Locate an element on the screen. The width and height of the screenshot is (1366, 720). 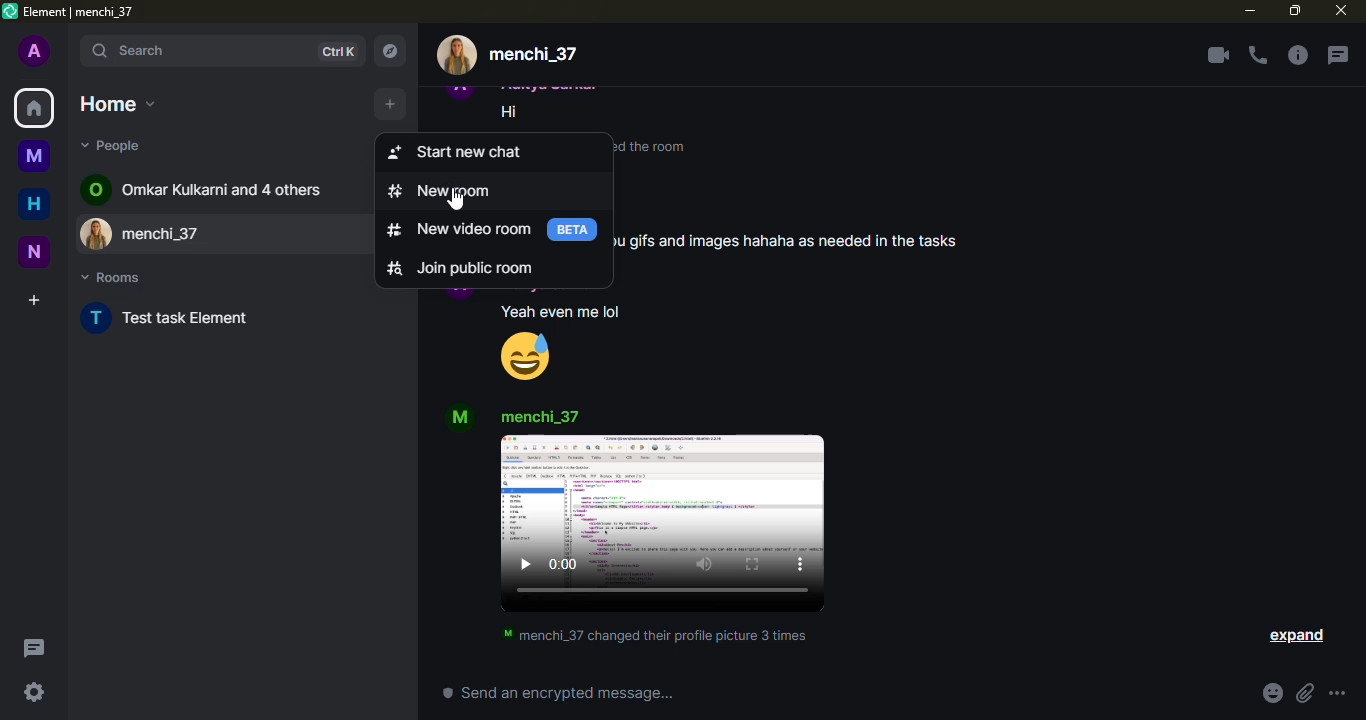
close is located at coordinates (1341, 10).